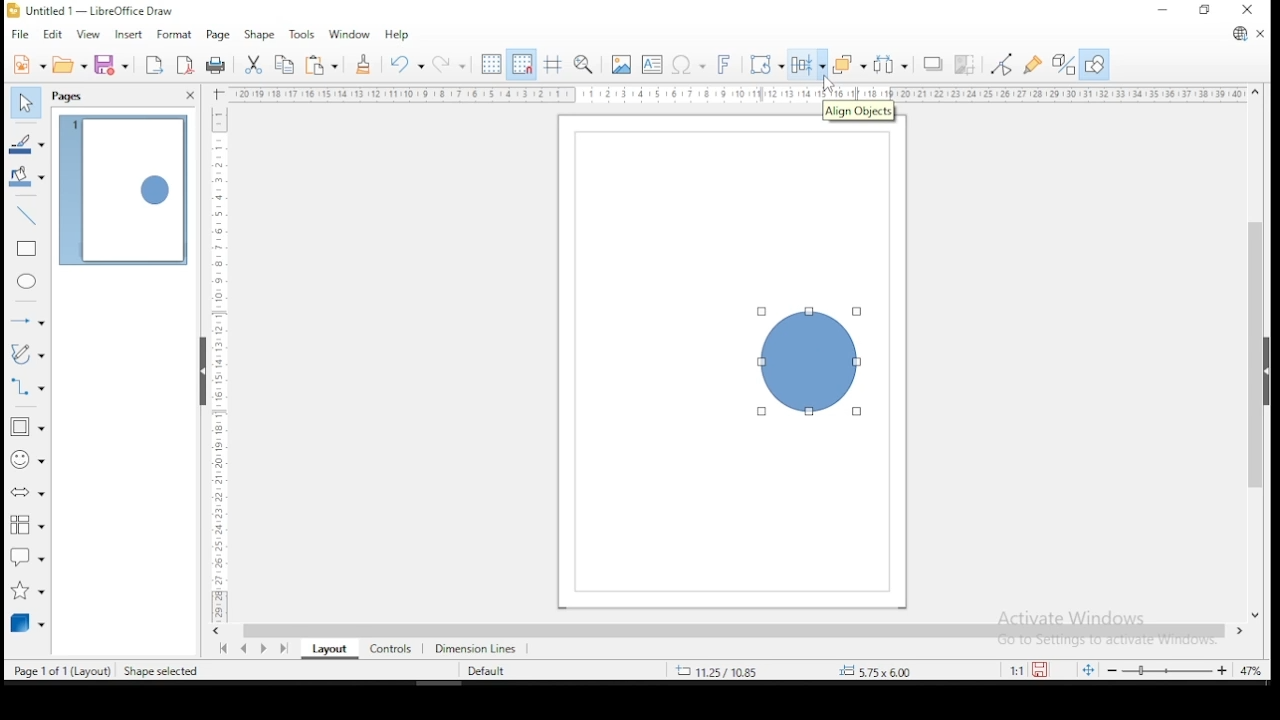 Image resolution: width=1280 pixels, height=720 pixels. I want to click on 1:1, so click(1015, 670).